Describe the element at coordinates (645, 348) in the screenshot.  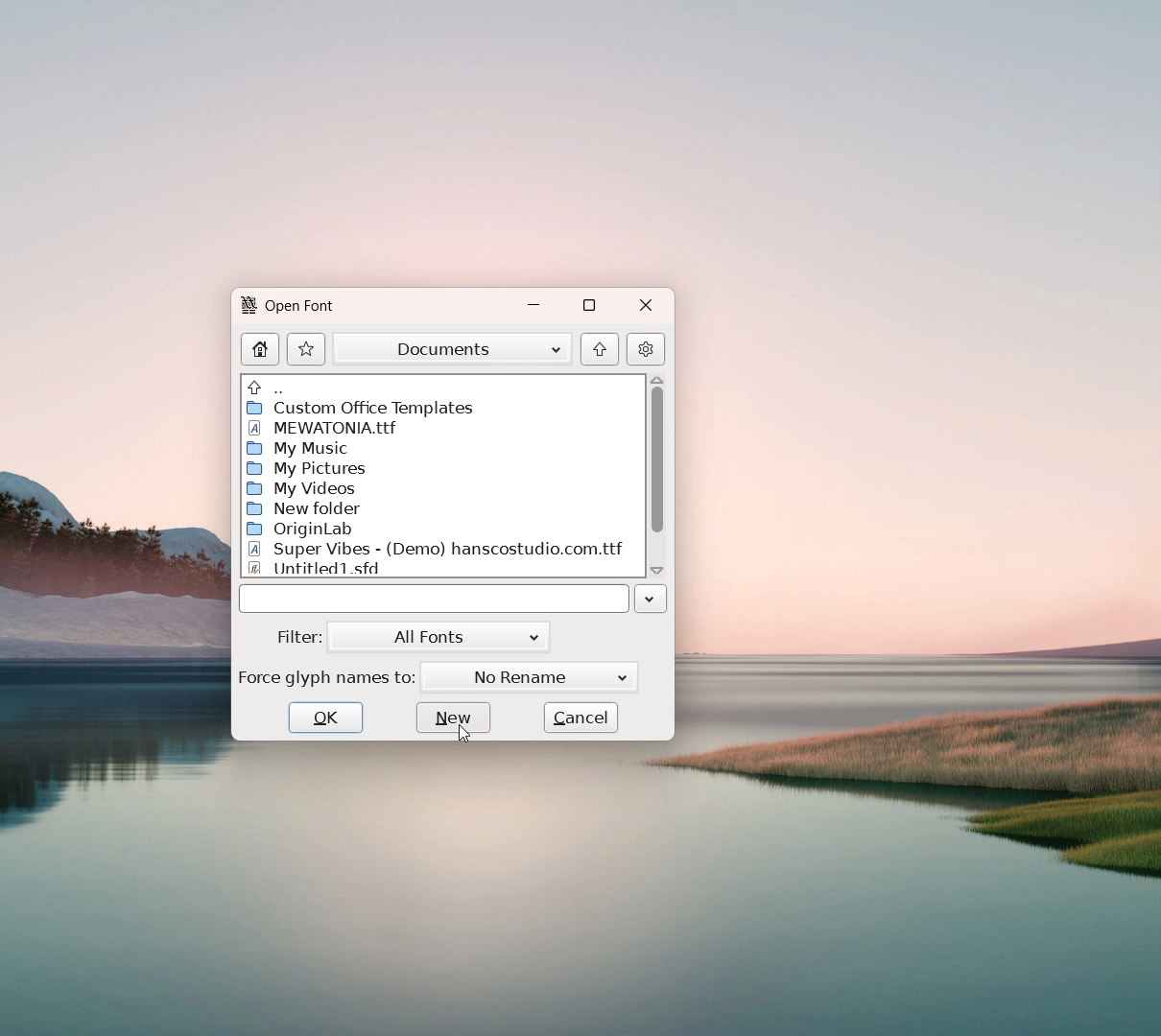
I see `settings` at that location.